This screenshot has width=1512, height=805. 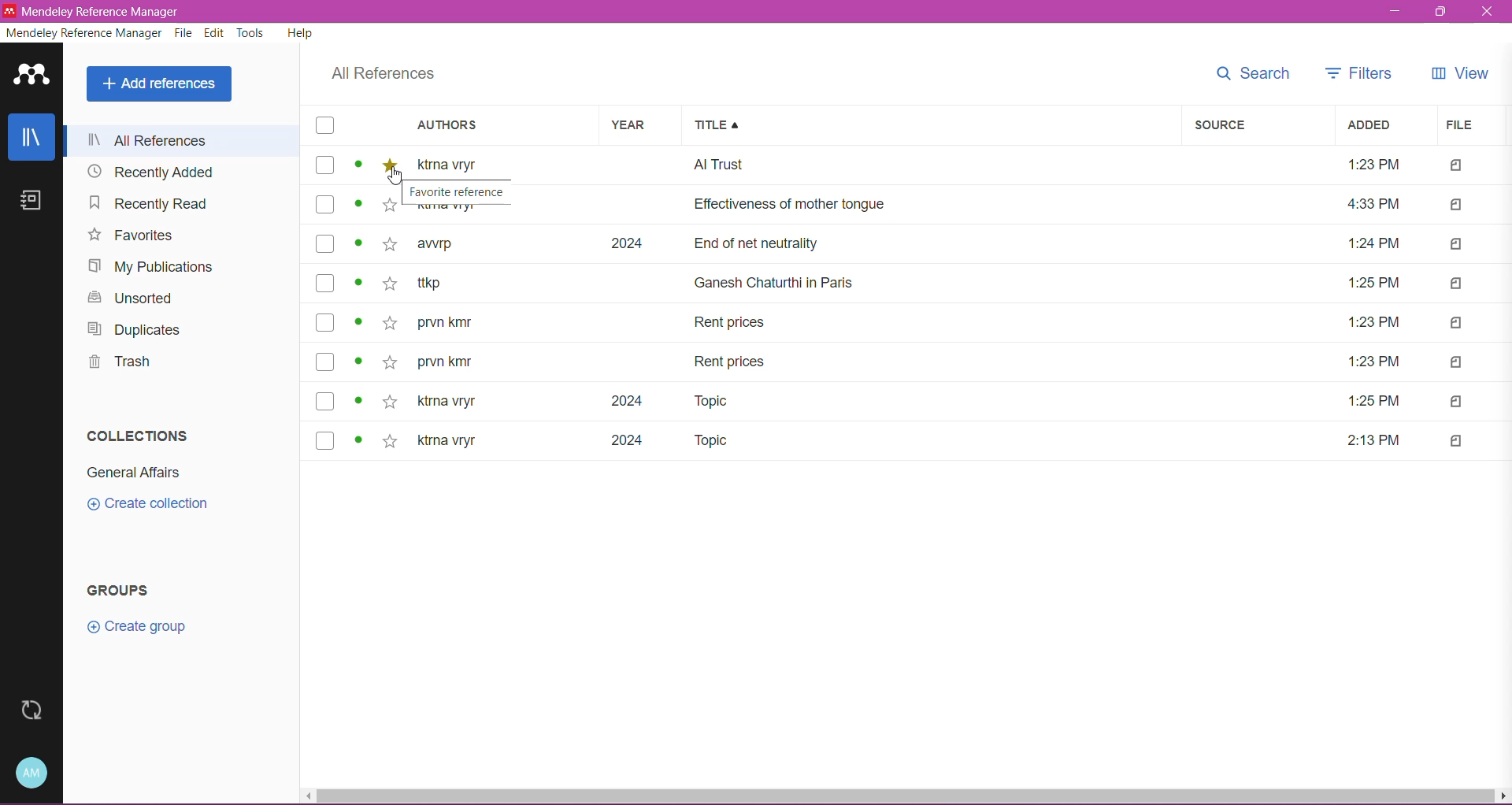 I want to click on Title, so click(x=932, y=126).